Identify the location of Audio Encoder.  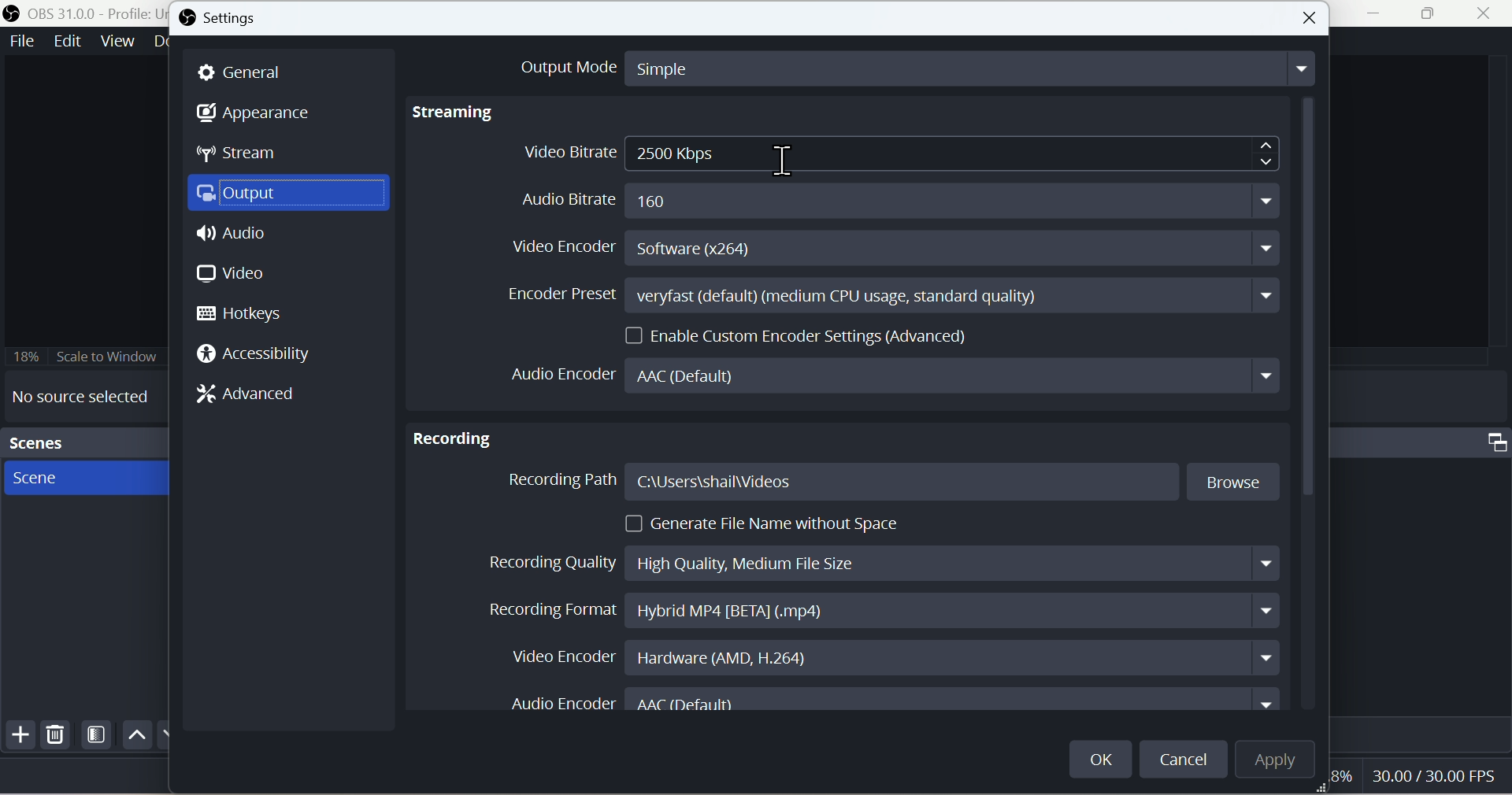
(900, 703).